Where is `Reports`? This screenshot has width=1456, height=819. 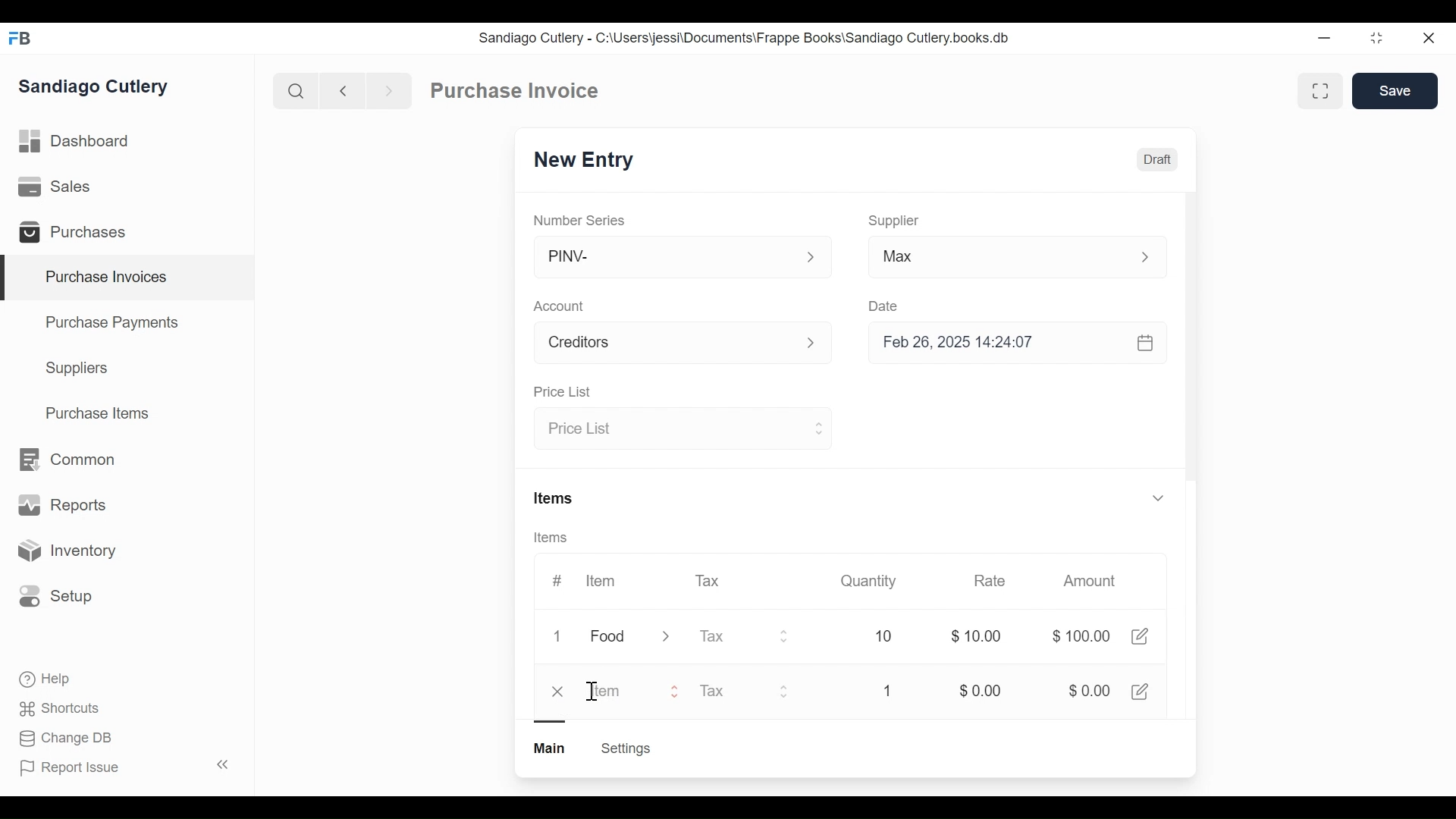
Reports is located at coordinates (62, 508).